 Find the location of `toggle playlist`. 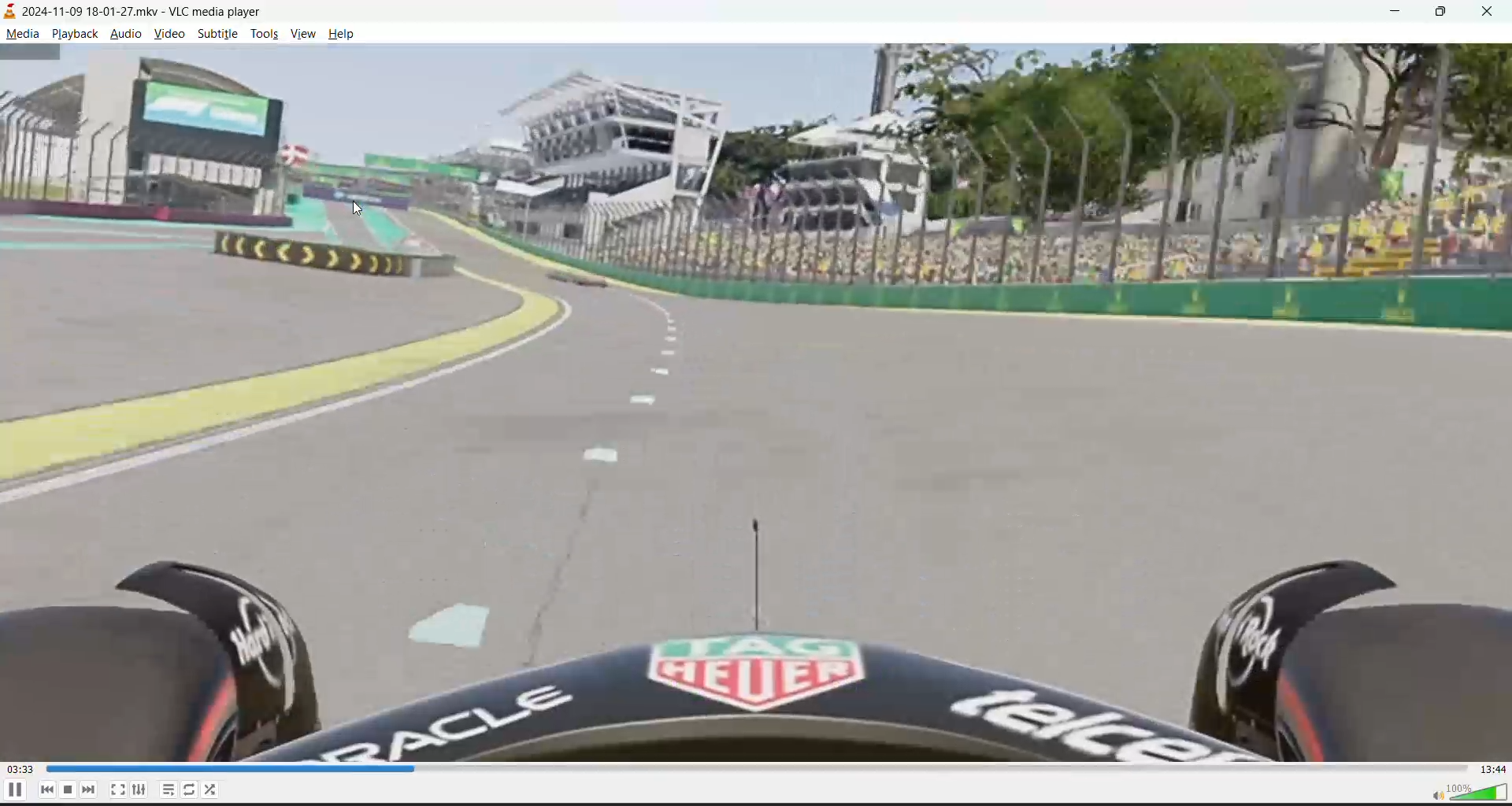

toggle playlist is located at coordinates (170, 789).